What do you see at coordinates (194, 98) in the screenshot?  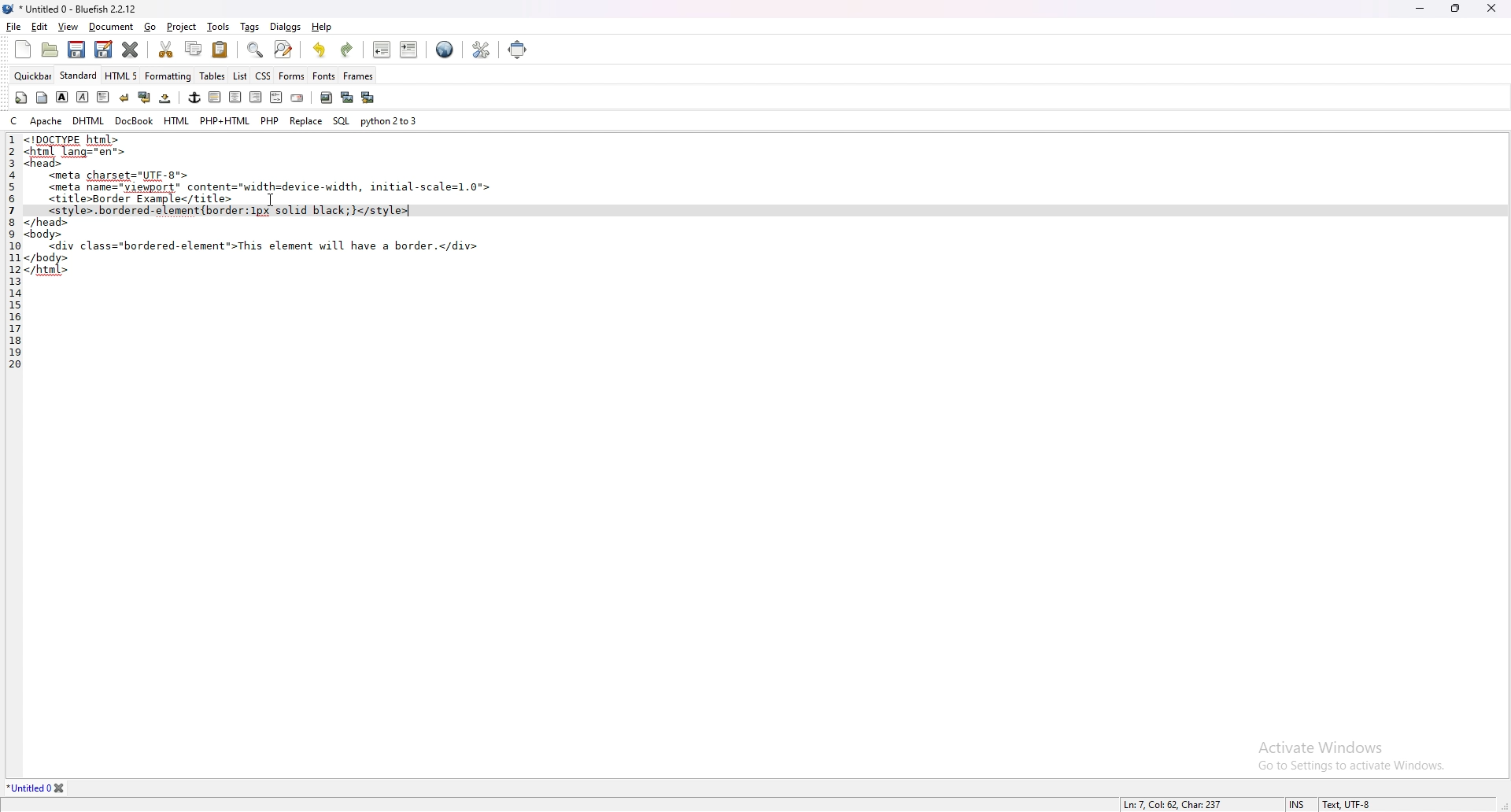 I see `anchor` at bounding box center [194, 98].